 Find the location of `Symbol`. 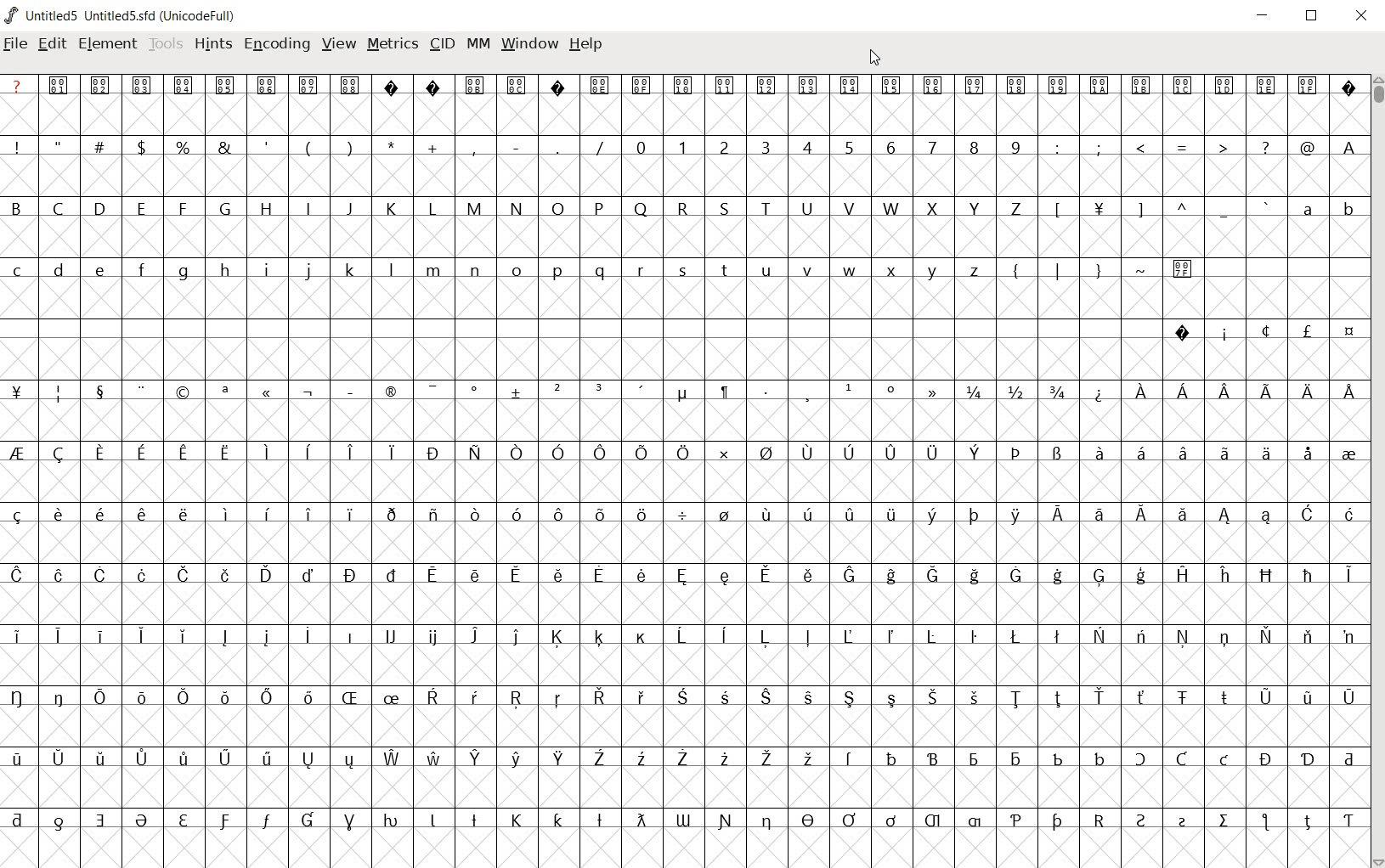

Symbol is located at coordinates (224, 573).